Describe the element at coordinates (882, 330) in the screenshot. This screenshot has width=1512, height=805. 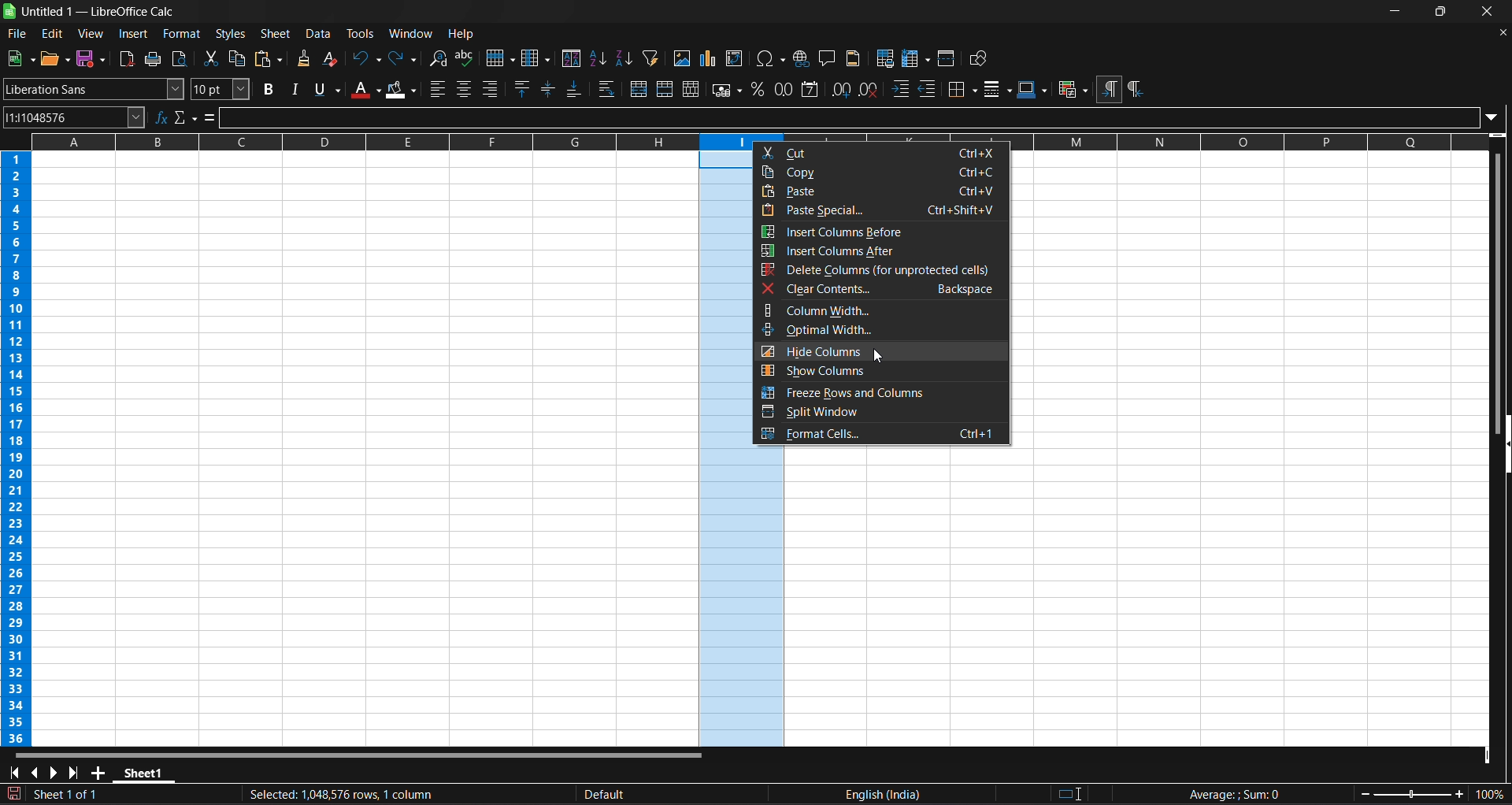
I see `optimal width` at that location.